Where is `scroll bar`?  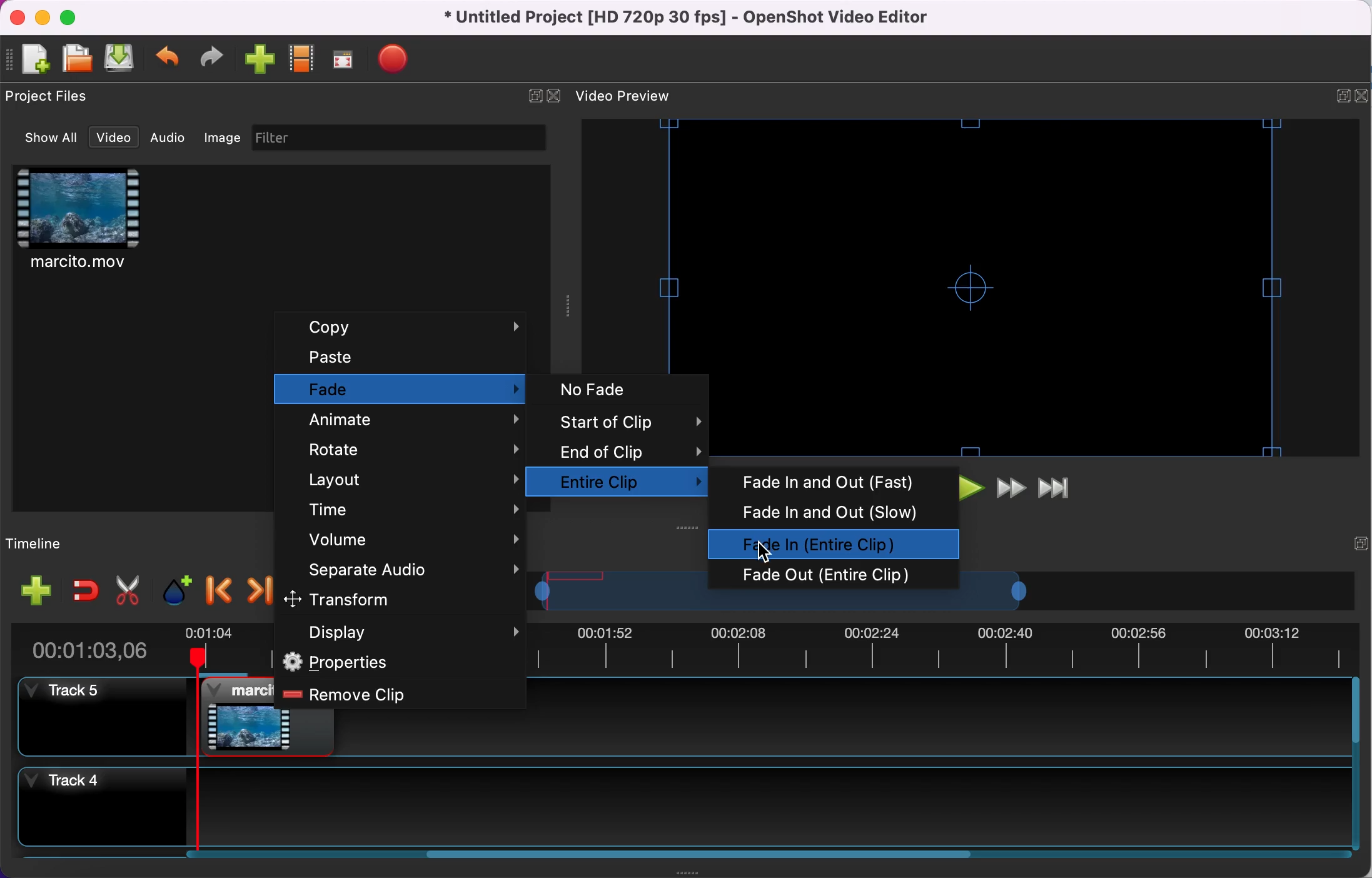
scroll bar is located at coordinates (722, 856).